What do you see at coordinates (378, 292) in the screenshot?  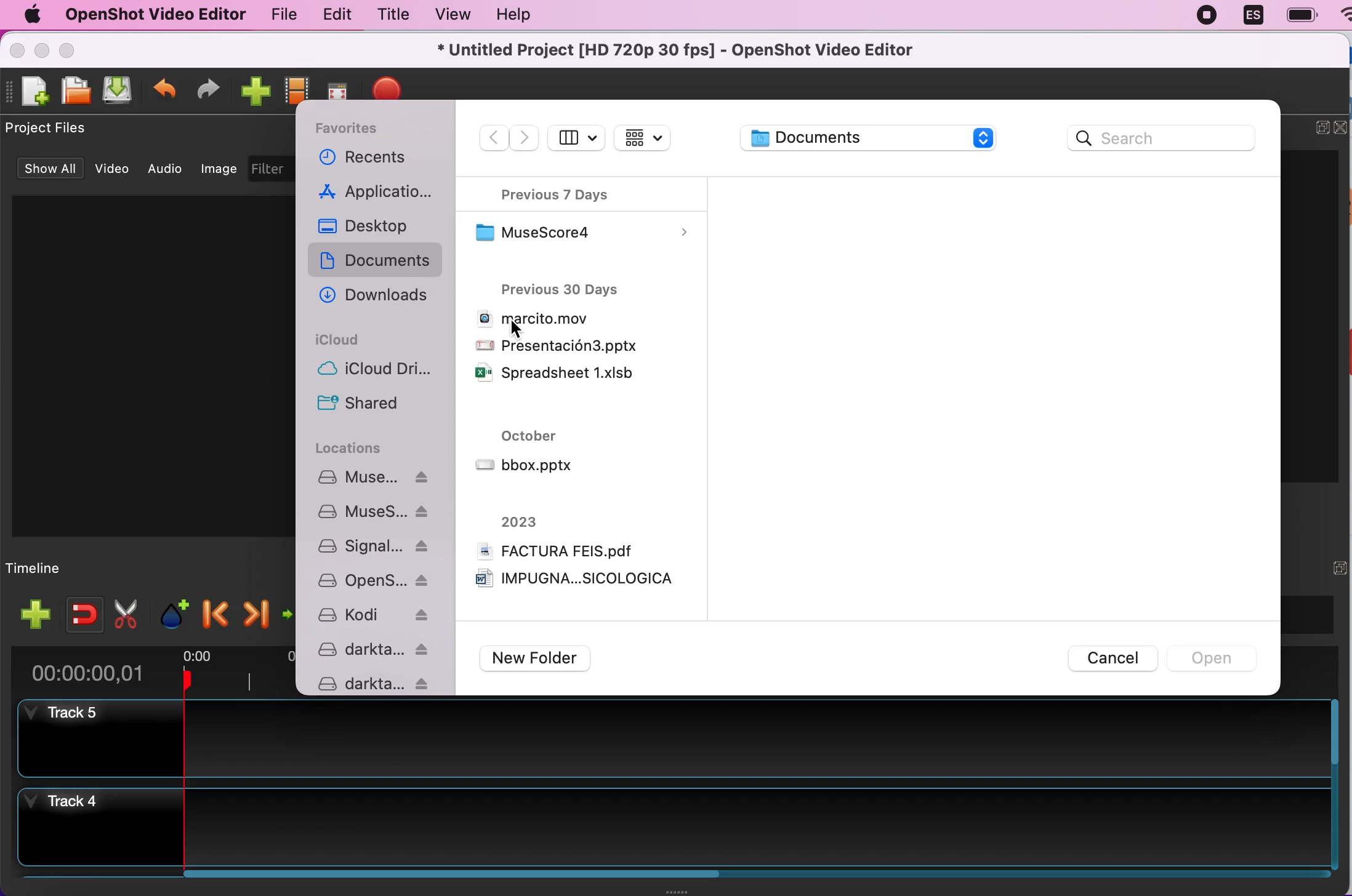 I see `downloads` at bounding box center [378, 292].